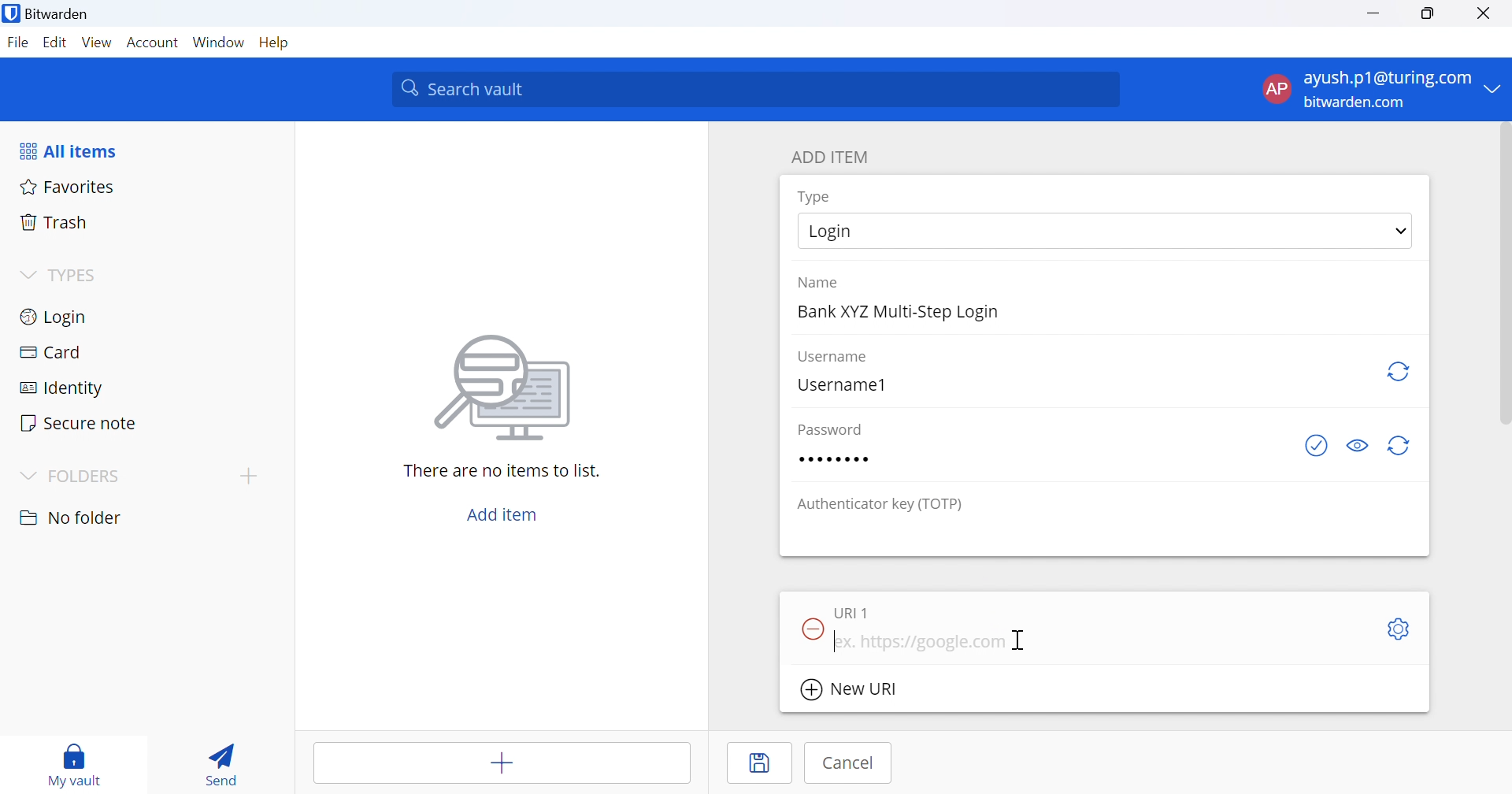  What do you see at coordinates (503, 512) in the screenshot?
I see `Add item` at bounding box center [503, 512].